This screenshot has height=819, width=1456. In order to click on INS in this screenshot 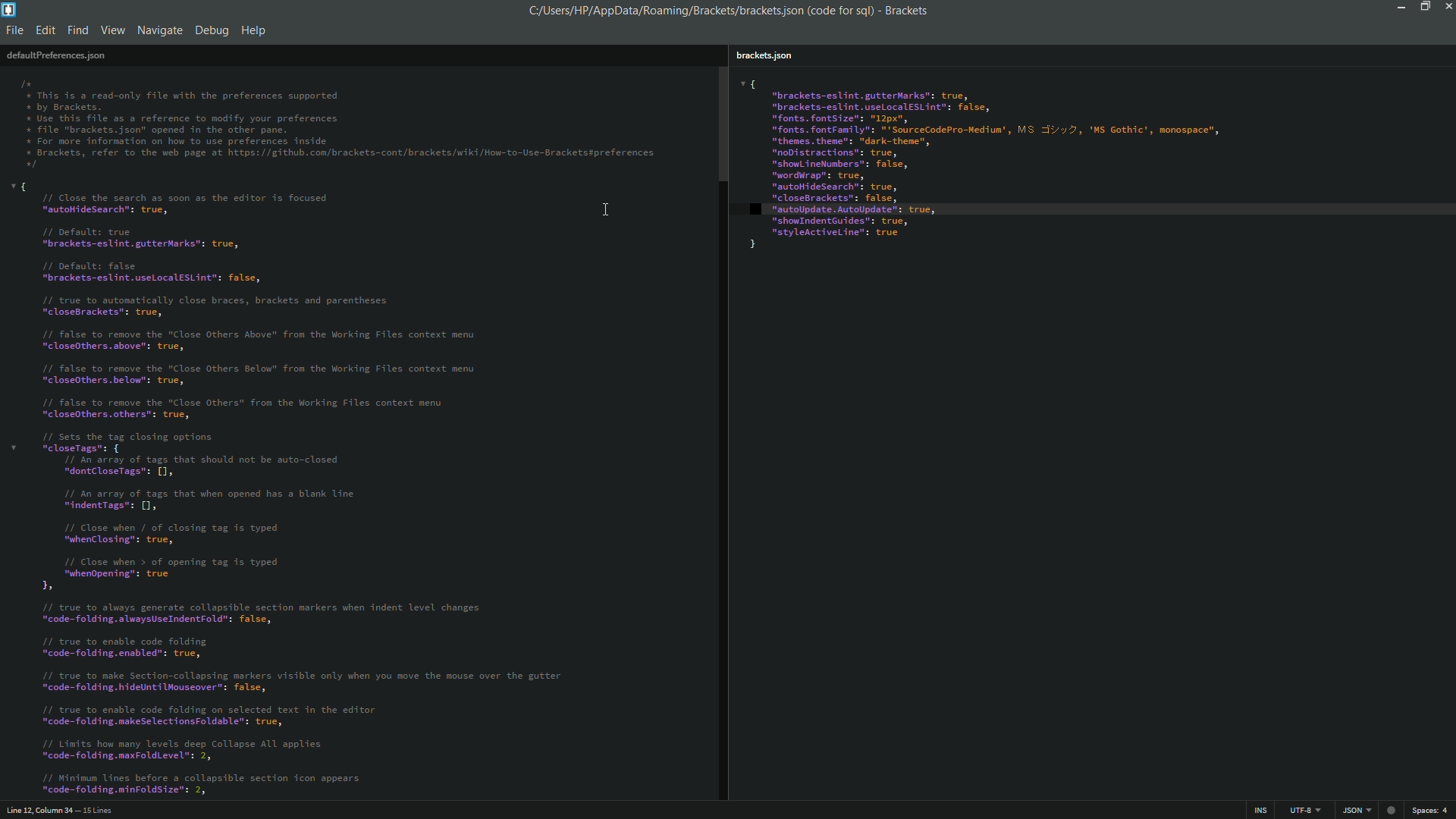, I will do `click(1262, 810)`.